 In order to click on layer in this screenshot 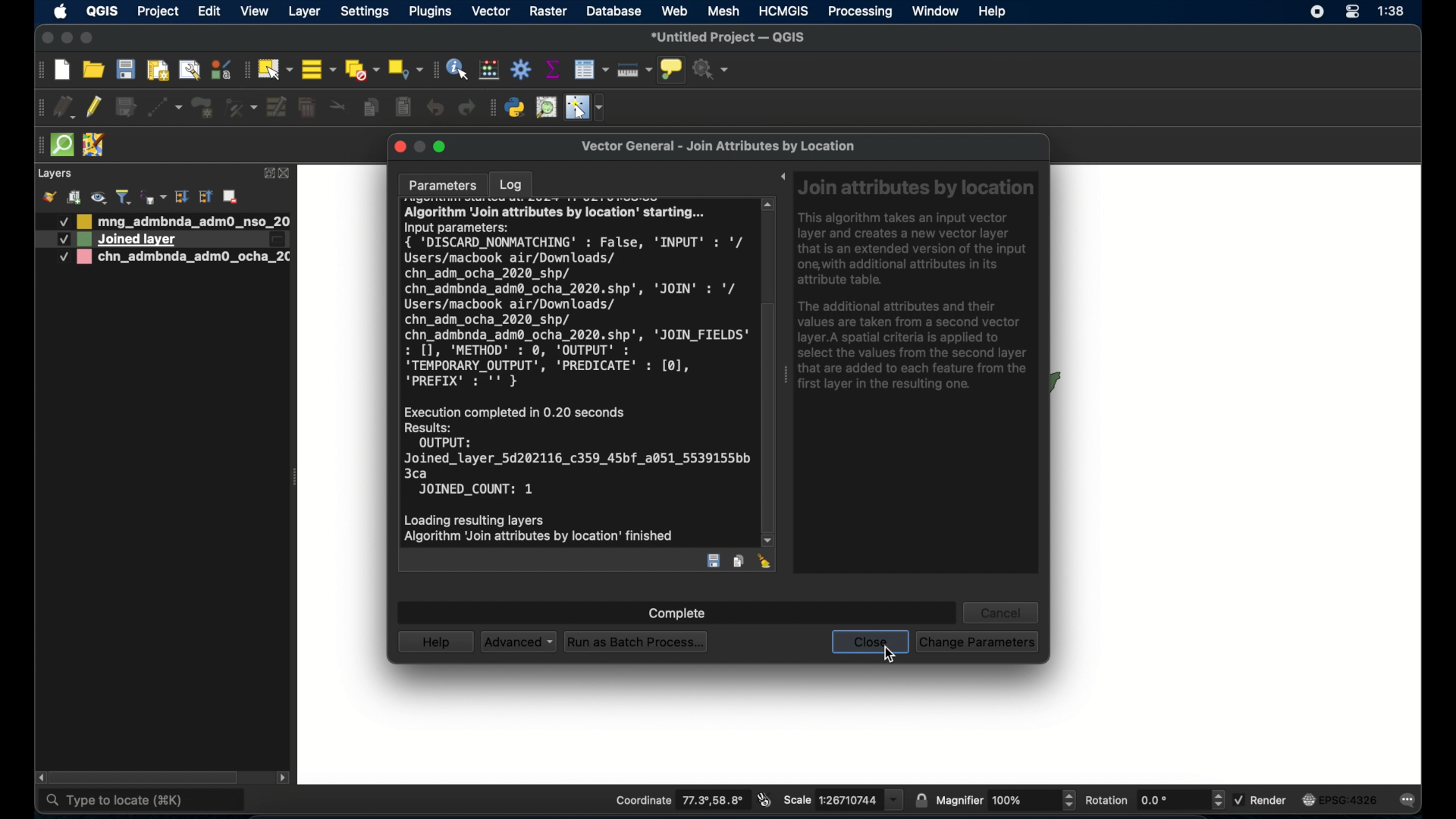, I will do `click(305, 12)`.